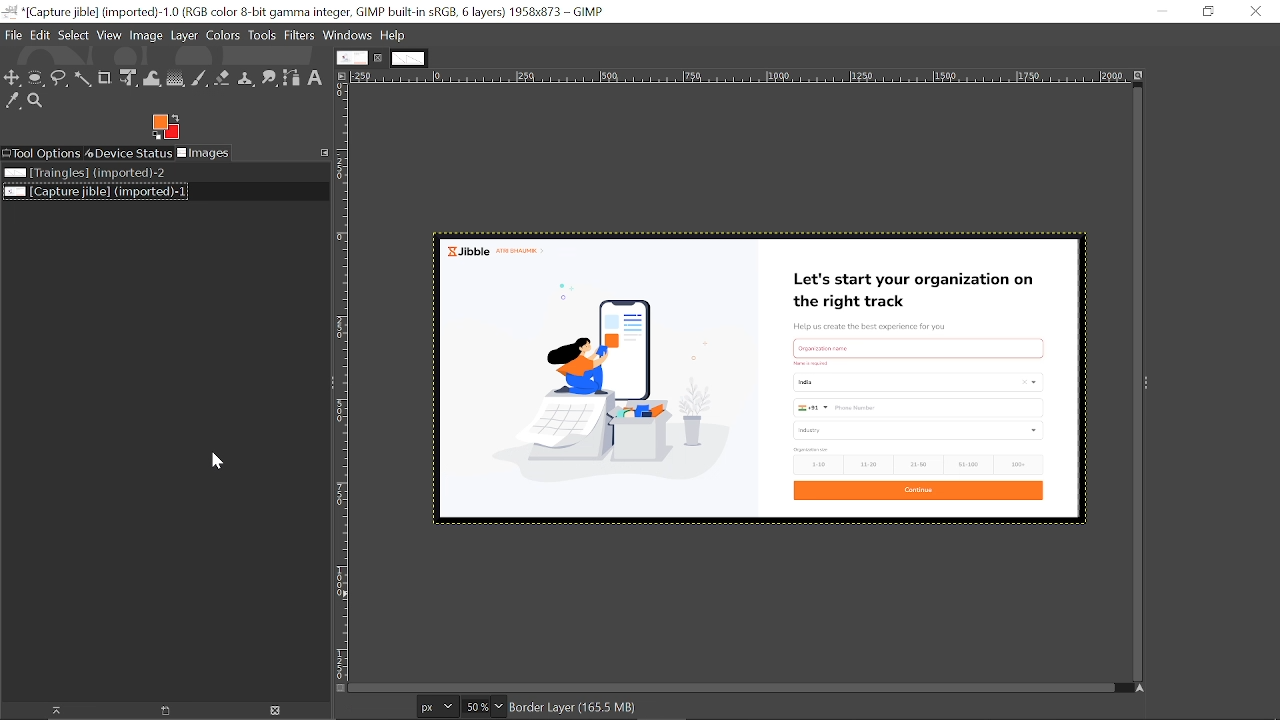  Describe the element at coordinates (813, 448) in the screenshot. I see `text` at that location.